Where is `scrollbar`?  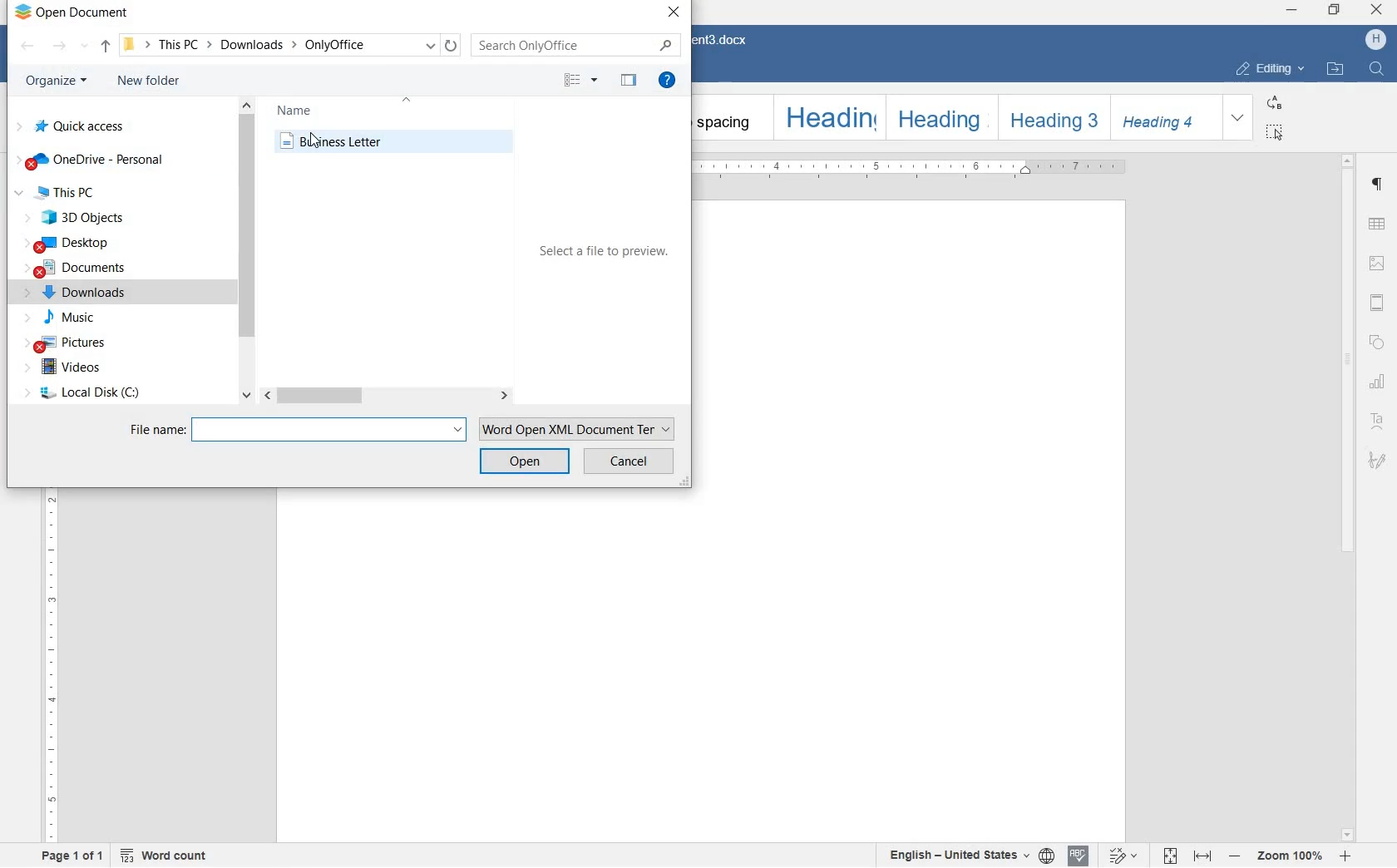
scrollbar is located at coordinates (1348, 498).